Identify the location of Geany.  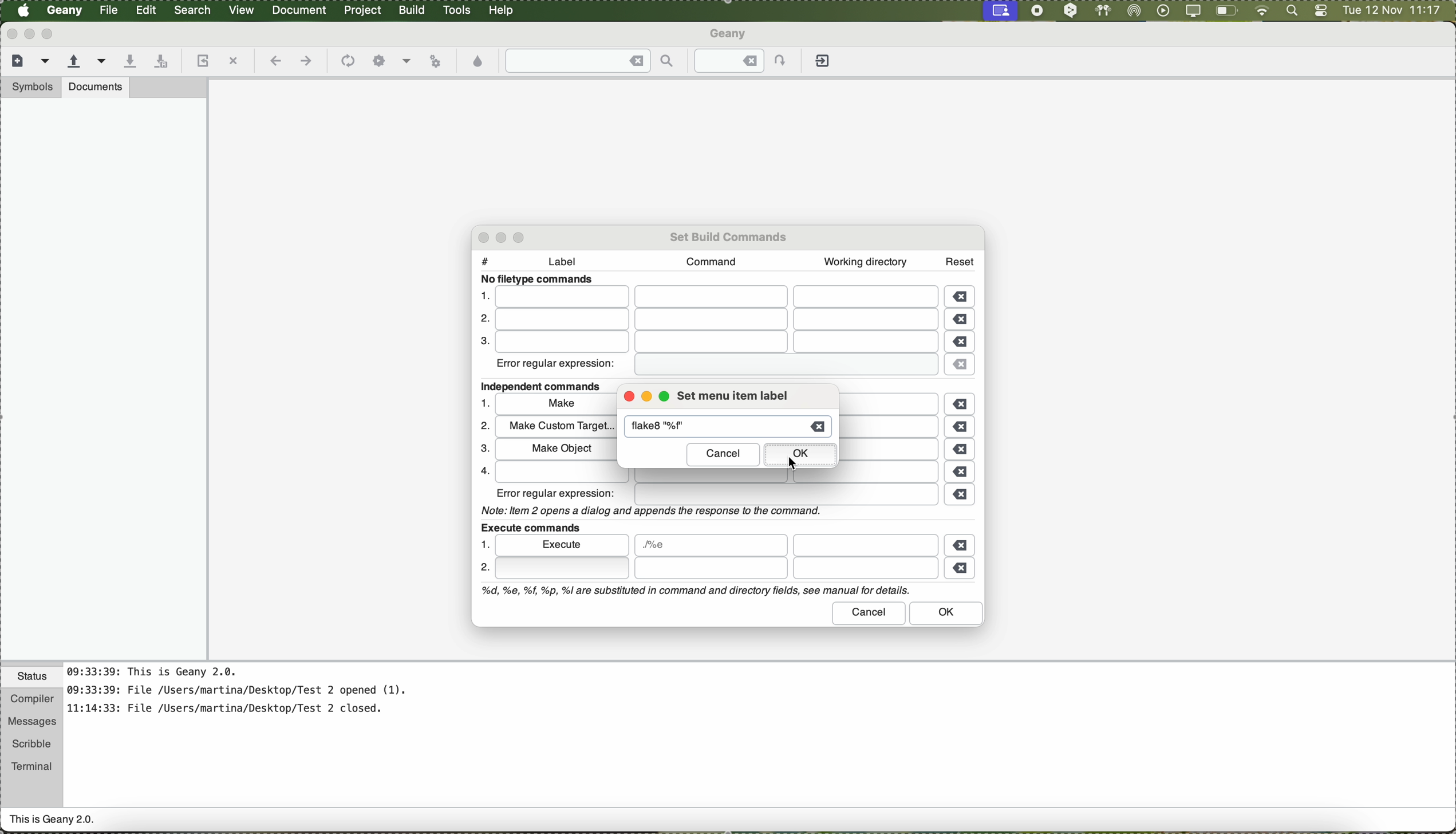
(65, 11).